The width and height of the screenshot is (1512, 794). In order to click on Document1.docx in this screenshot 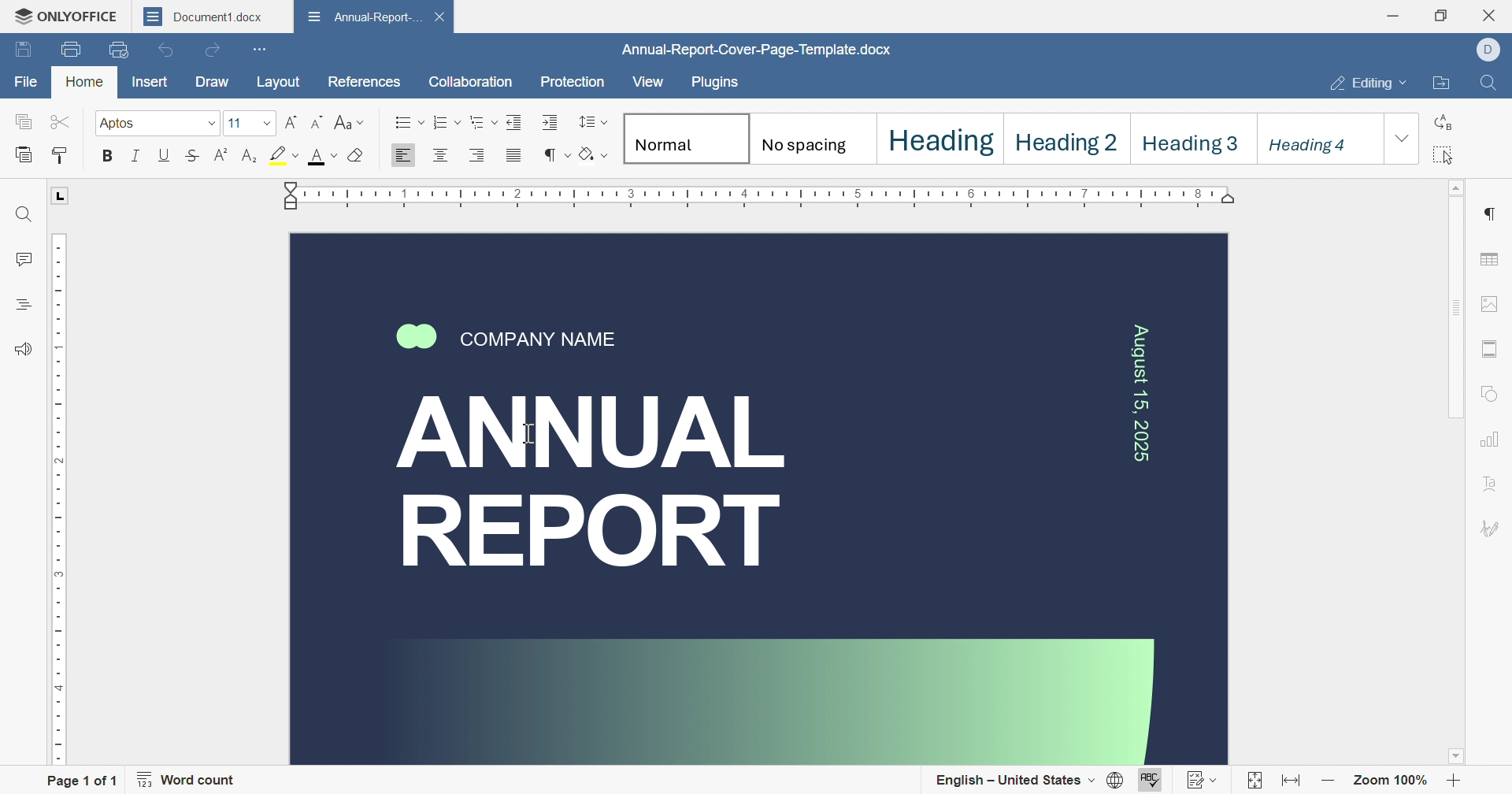, I will do `click(749, 50)`.